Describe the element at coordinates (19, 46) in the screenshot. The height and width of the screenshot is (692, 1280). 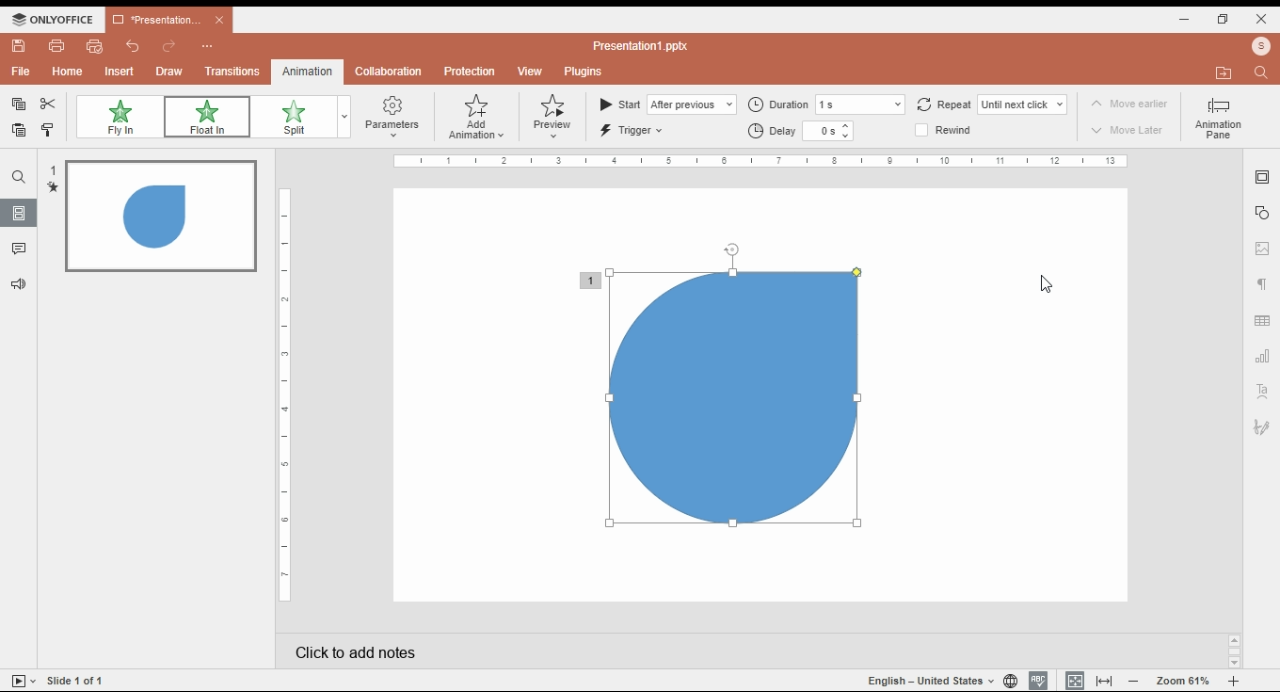
I see `save` at that location.